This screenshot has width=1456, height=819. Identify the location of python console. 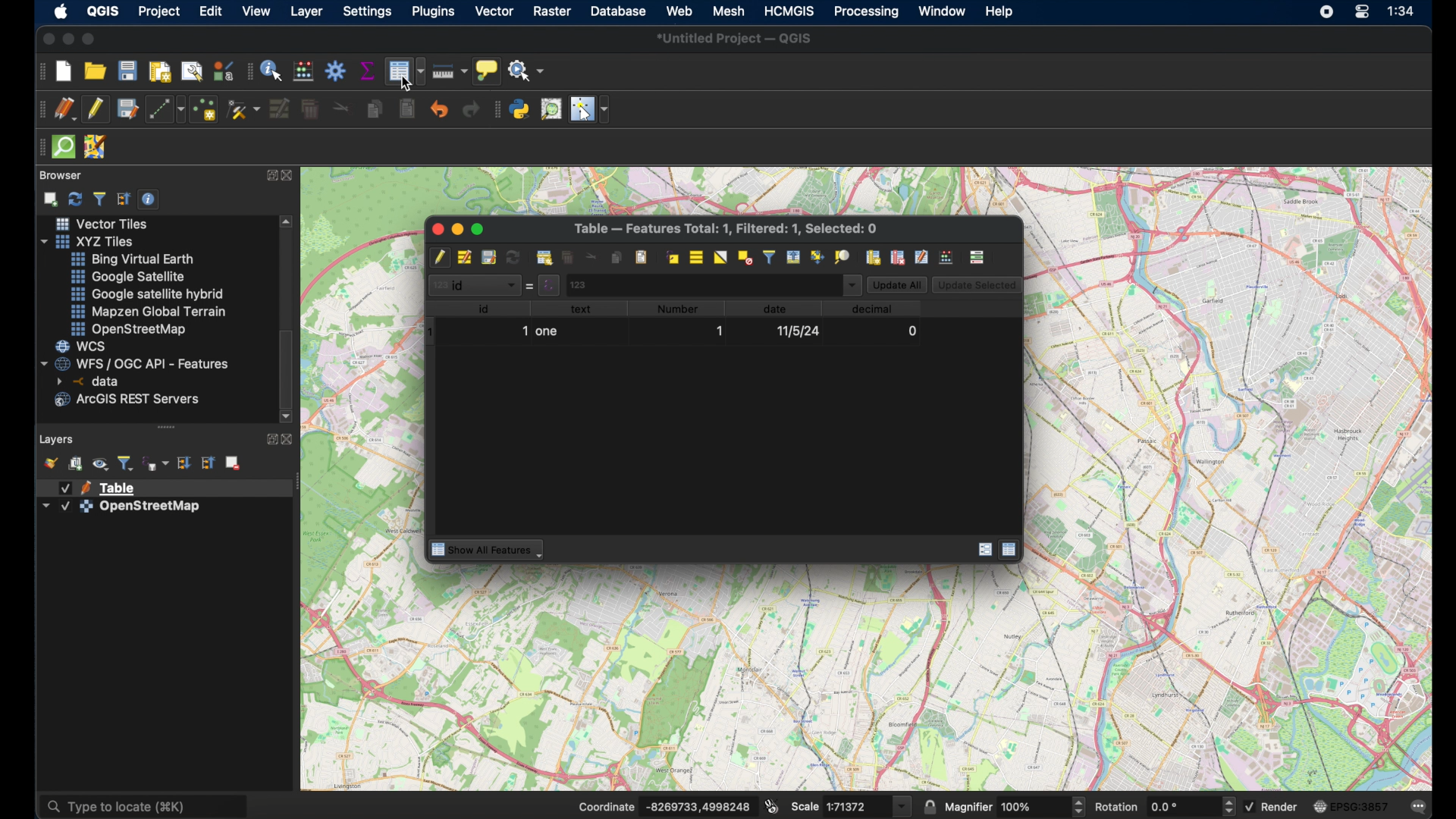
(519, 111).